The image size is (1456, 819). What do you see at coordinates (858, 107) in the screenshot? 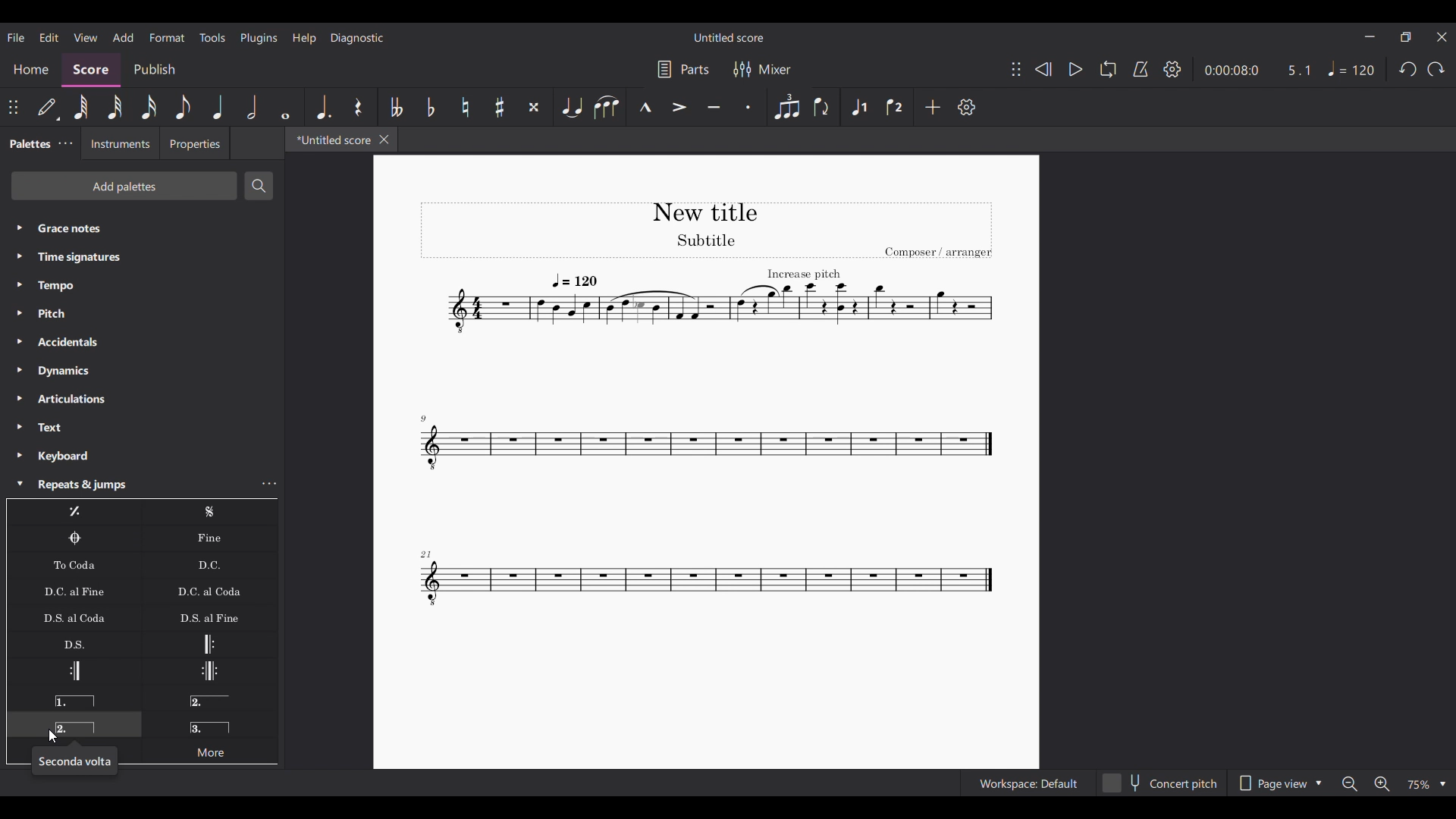
I see `Voice 1` at bounding box center [858, 107].